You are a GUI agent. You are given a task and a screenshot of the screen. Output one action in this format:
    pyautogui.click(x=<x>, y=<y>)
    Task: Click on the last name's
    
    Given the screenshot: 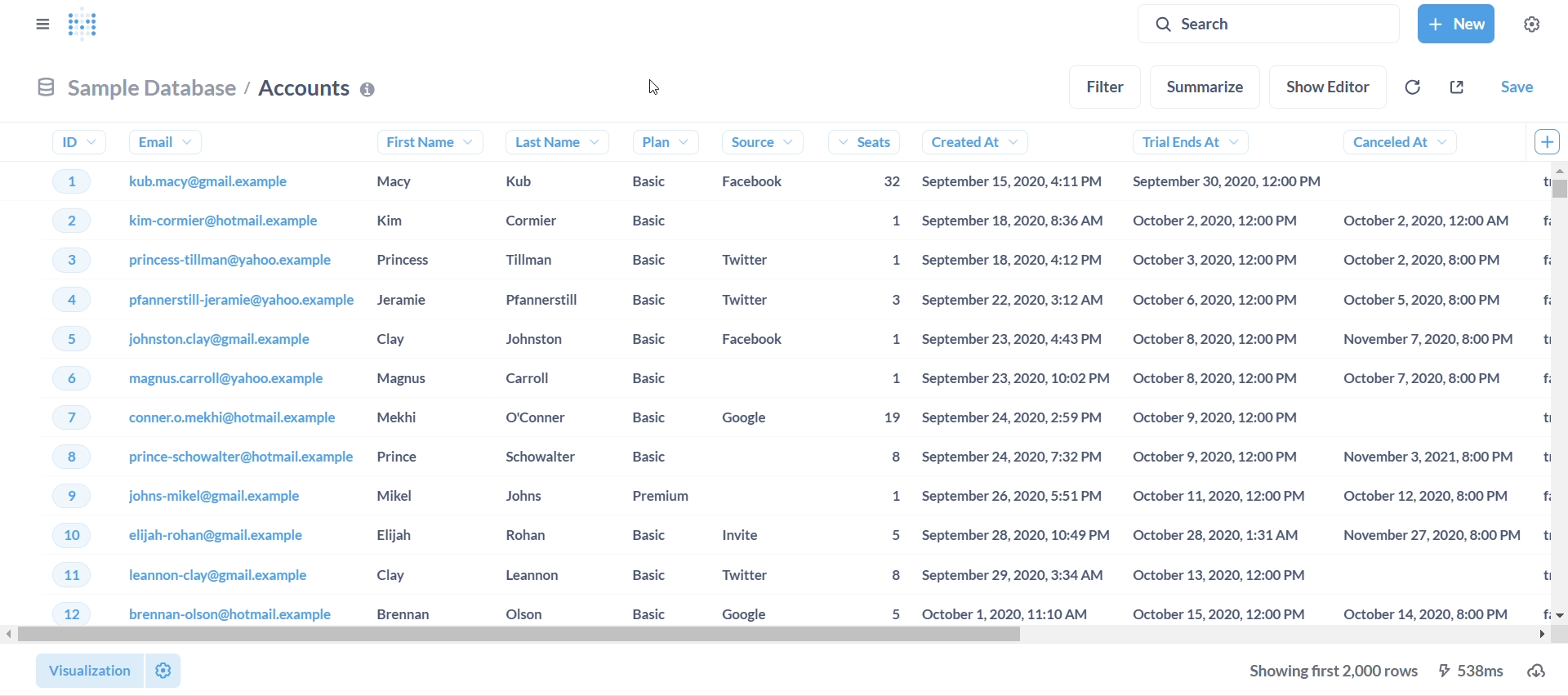 What is the action you would take?
    pyautogui.click(x=547, y=373)
    